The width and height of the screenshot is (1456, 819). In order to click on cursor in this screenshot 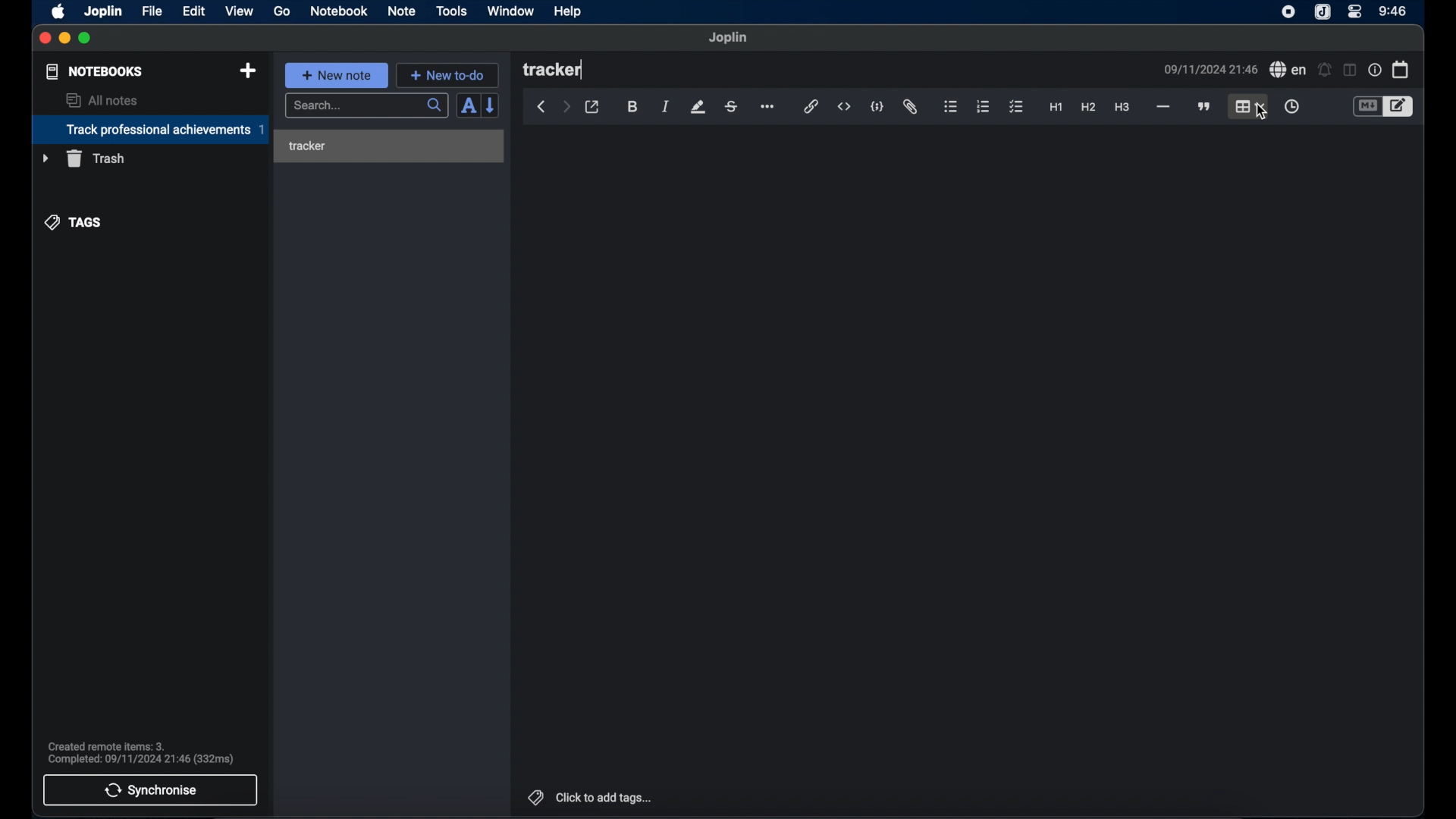, I will do `click(1262, 112)`.